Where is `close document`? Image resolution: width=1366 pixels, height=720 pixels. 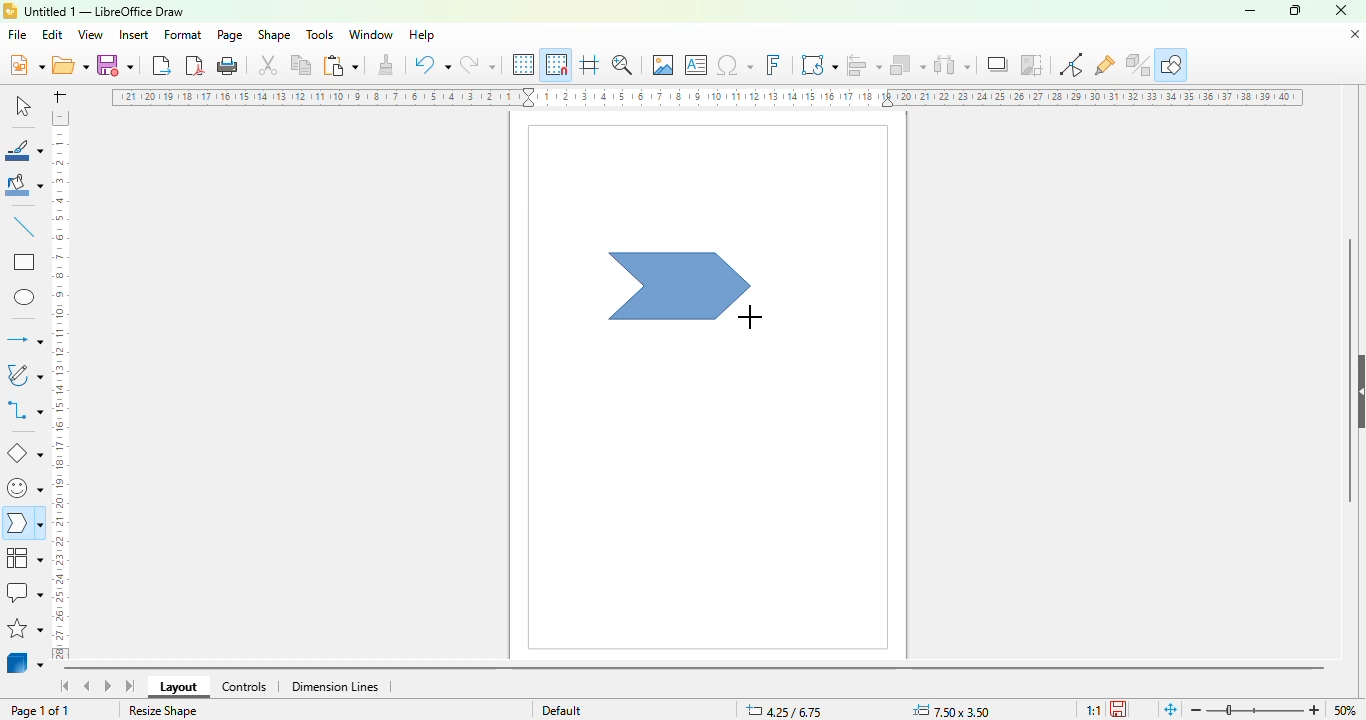 close document is located at coordinates (1355, 35).